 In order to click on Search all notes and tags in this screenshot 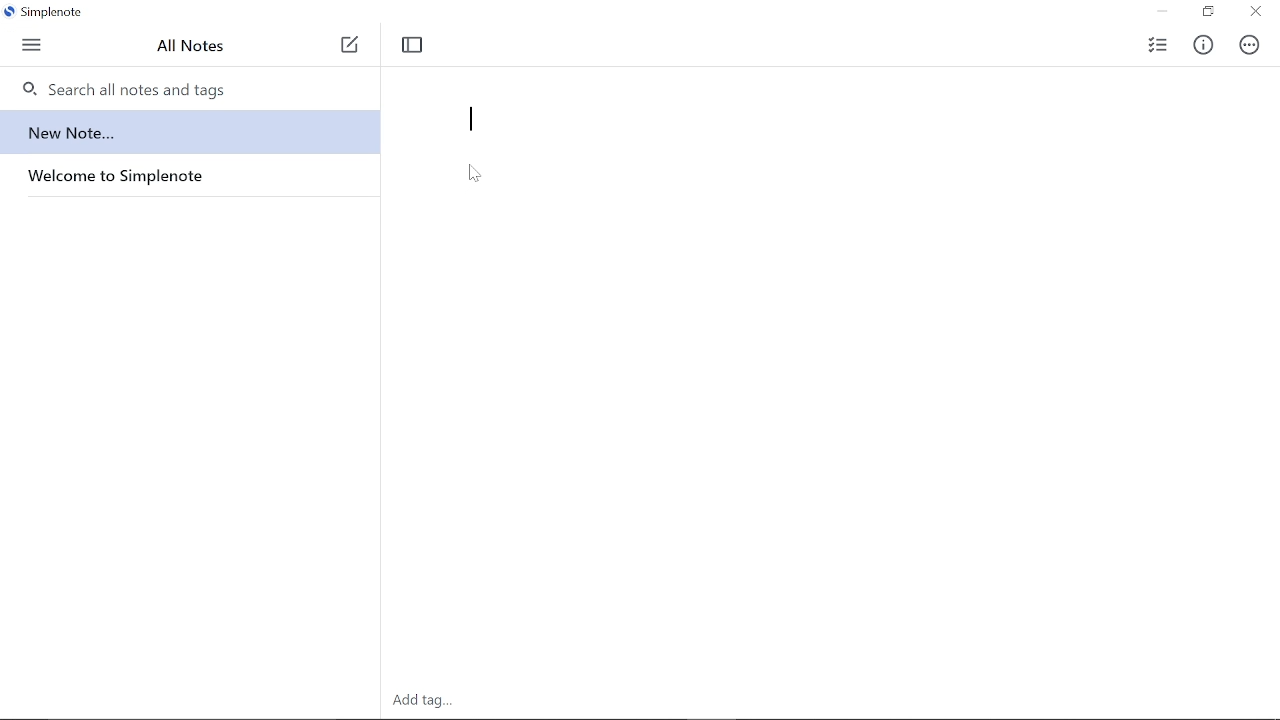, I will do `click(173, 88)`.